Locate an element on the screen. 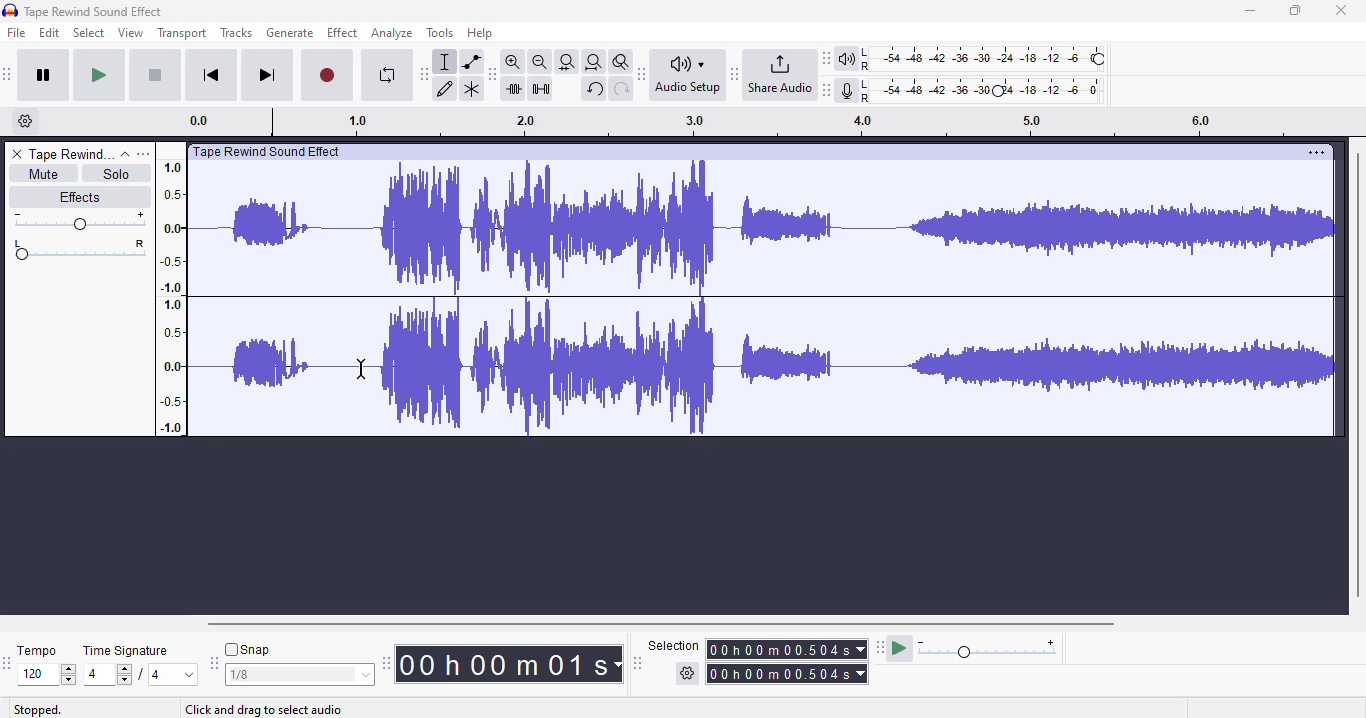 The image size is (1366, 718). generate is located at coordinates (290, 33).